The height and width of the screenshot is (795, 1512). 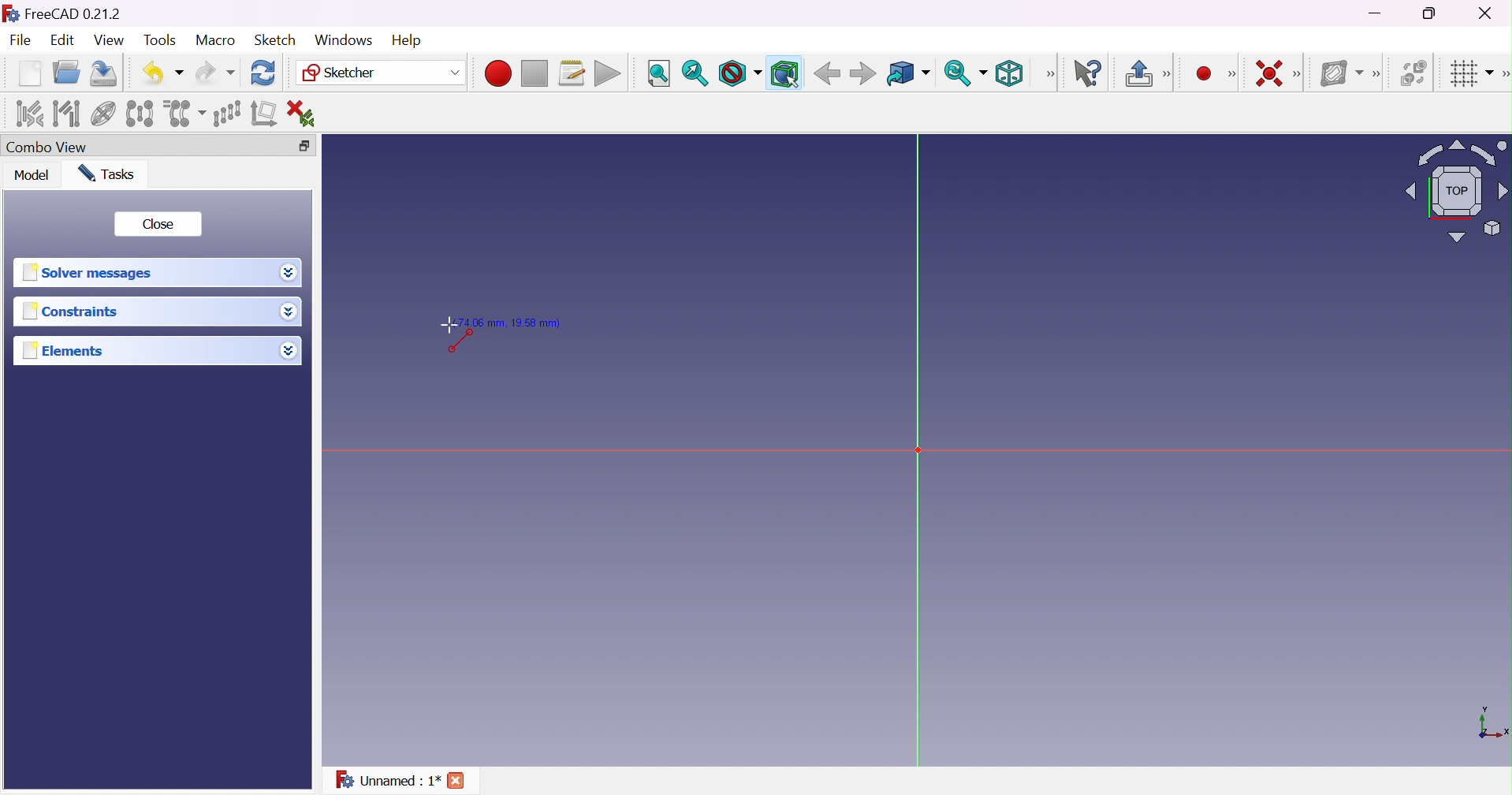 I want to click on Symmetry, so click(x=139, y=114).